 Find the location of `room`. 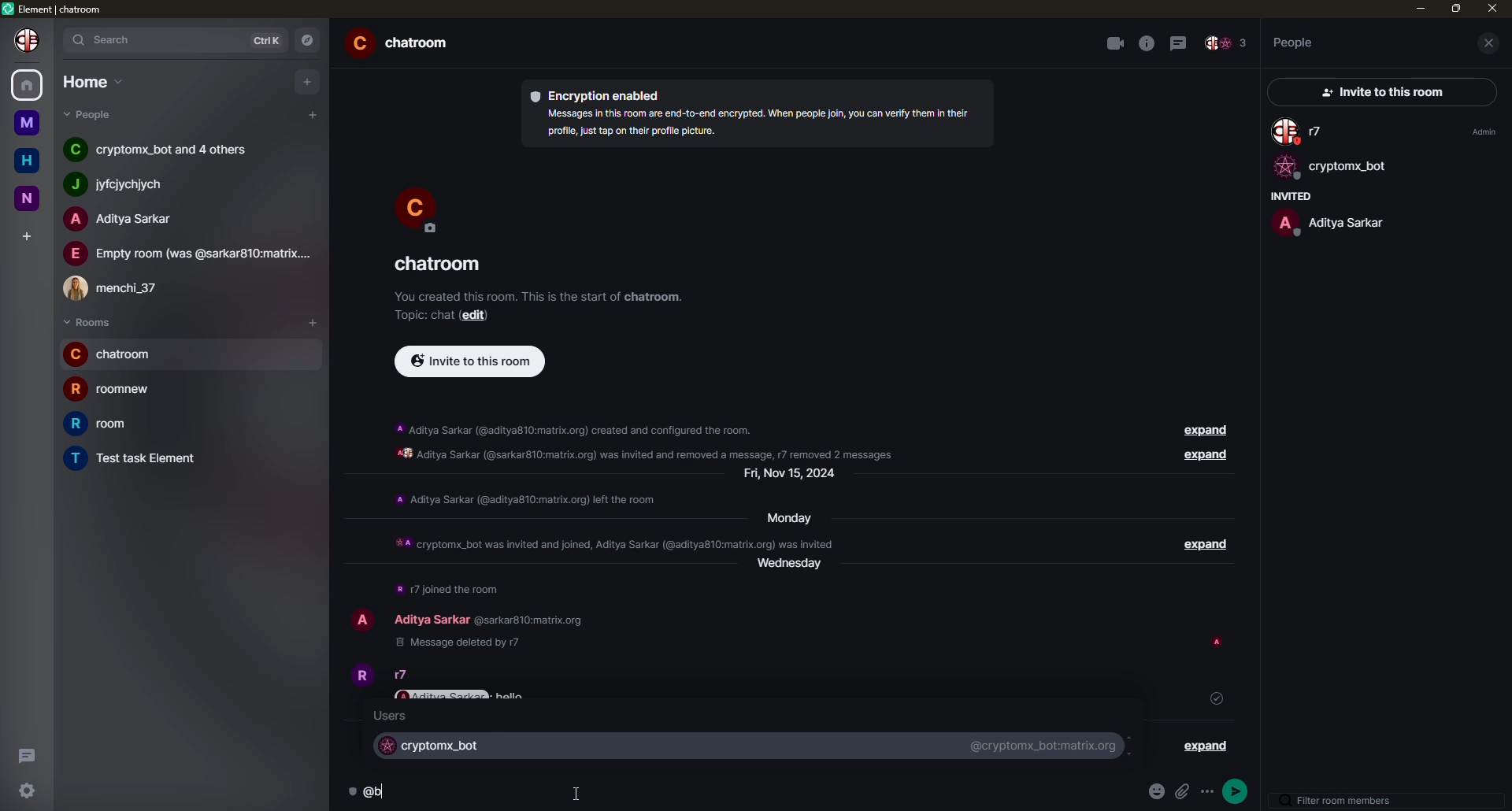

room is located at coordinates (137, 459).